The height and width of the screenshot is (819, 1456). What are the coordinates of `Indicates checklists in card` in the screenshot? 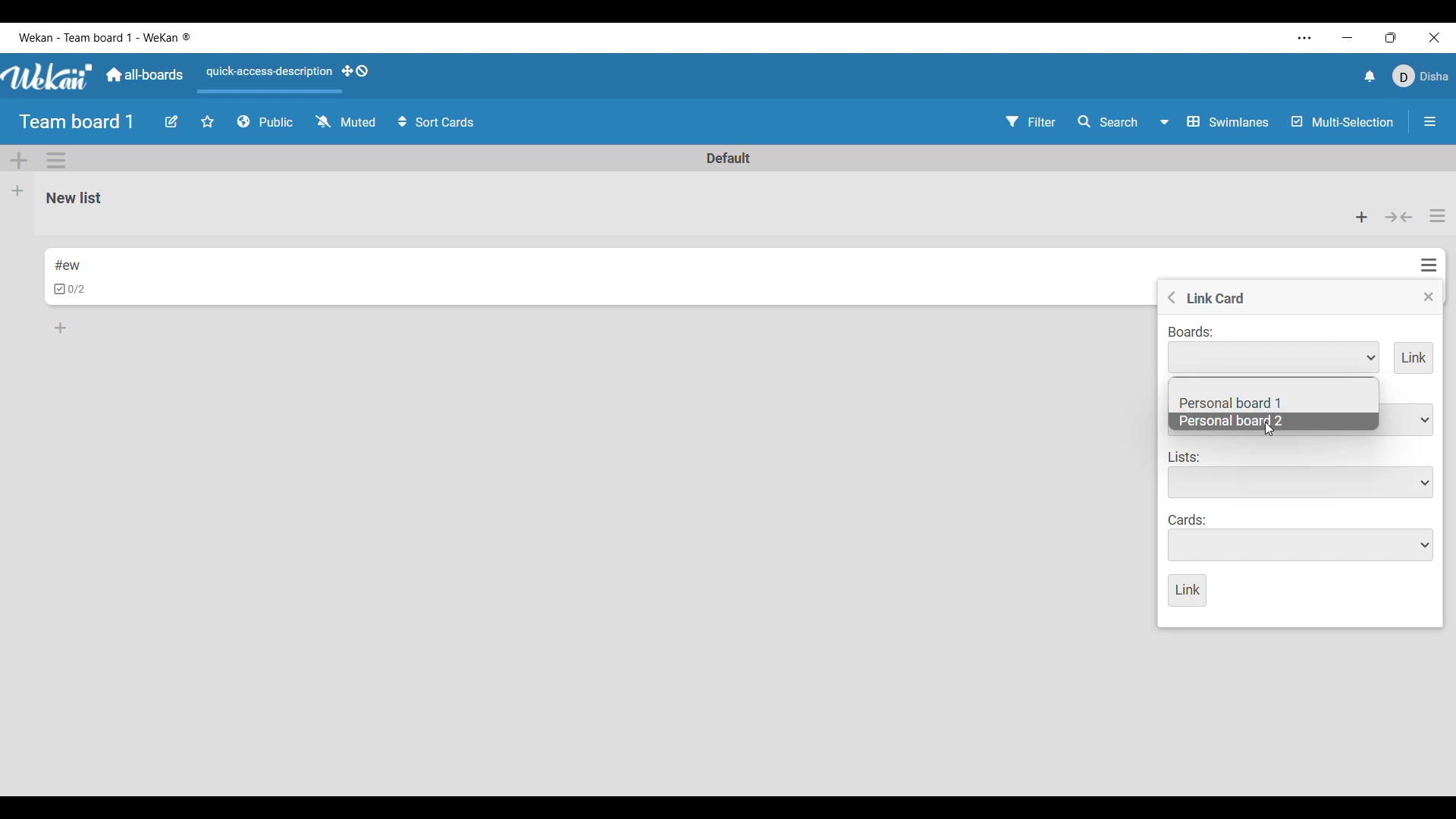 It's located at (70, 289).